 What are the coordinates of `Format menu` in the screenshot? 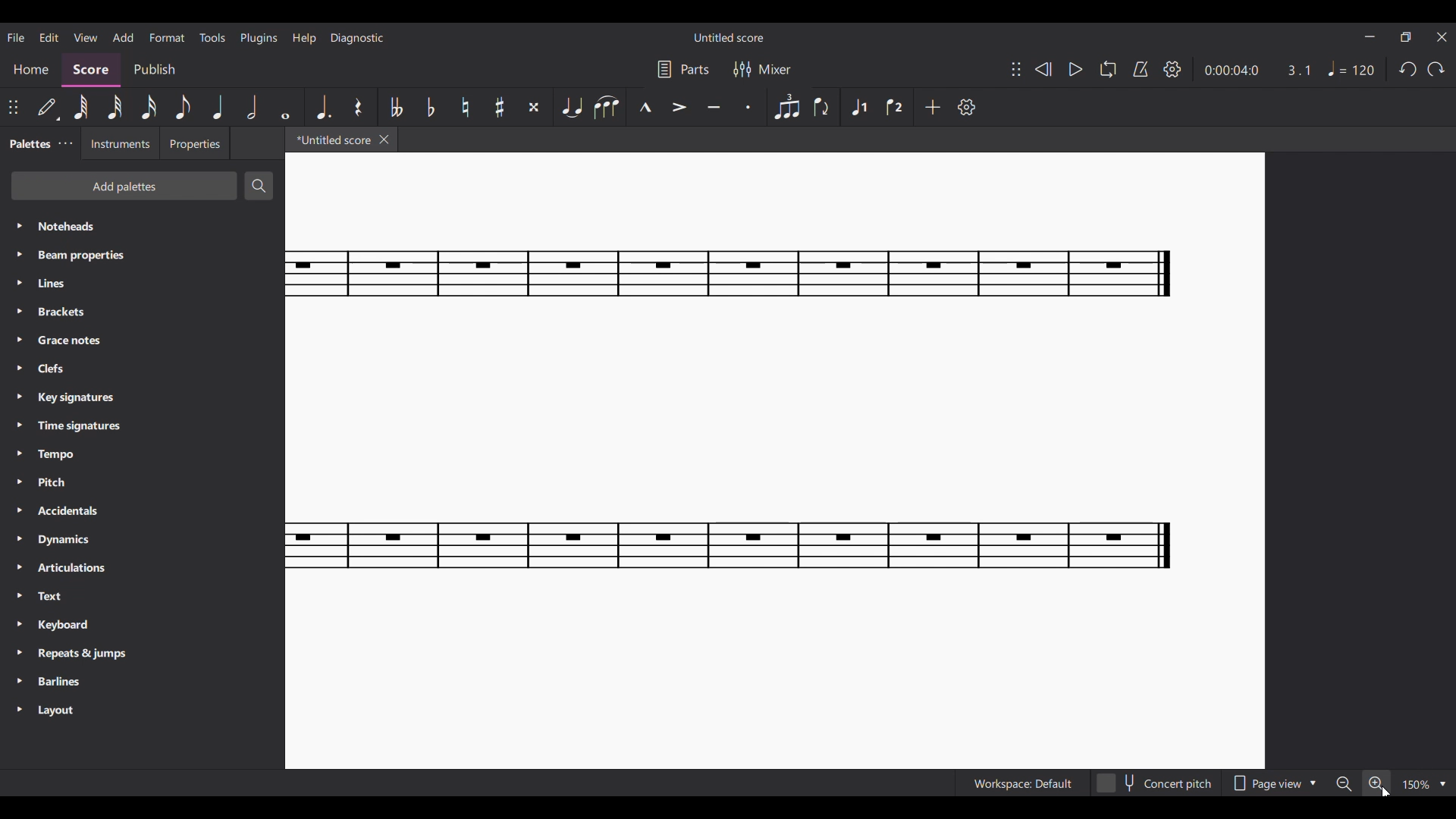 It's located at (168, 37).